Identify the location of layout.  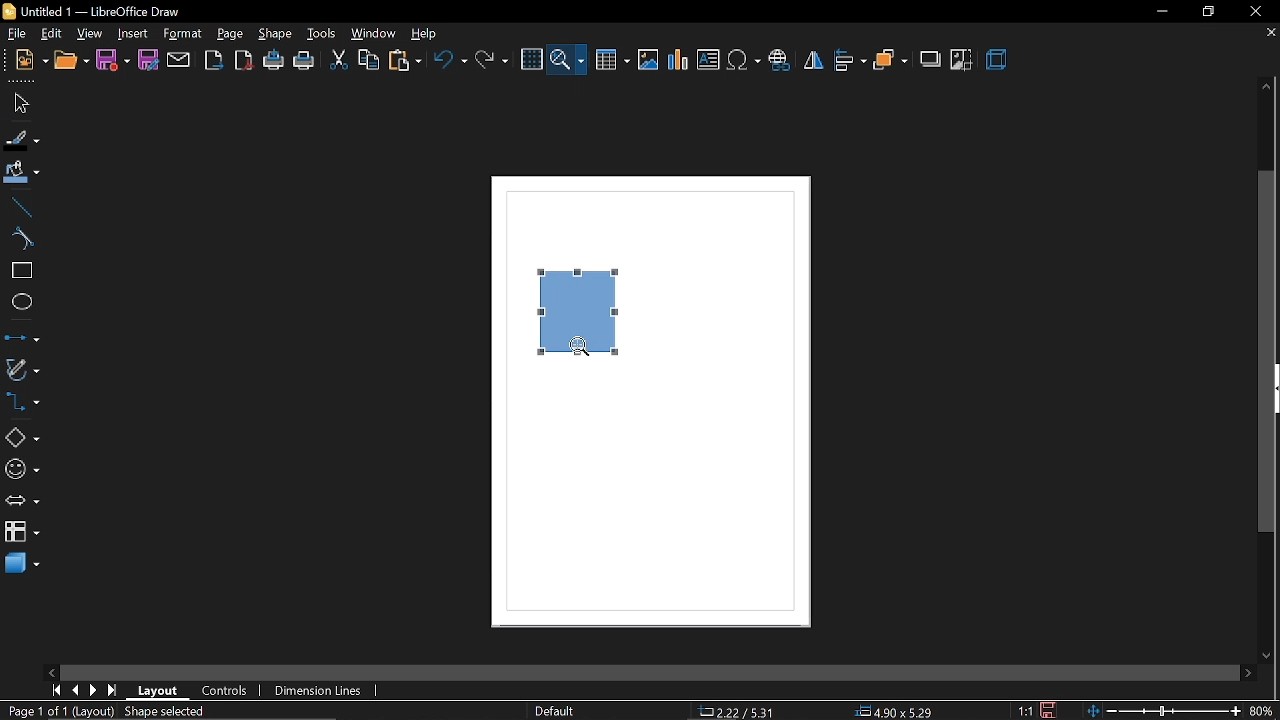
(159, 692).